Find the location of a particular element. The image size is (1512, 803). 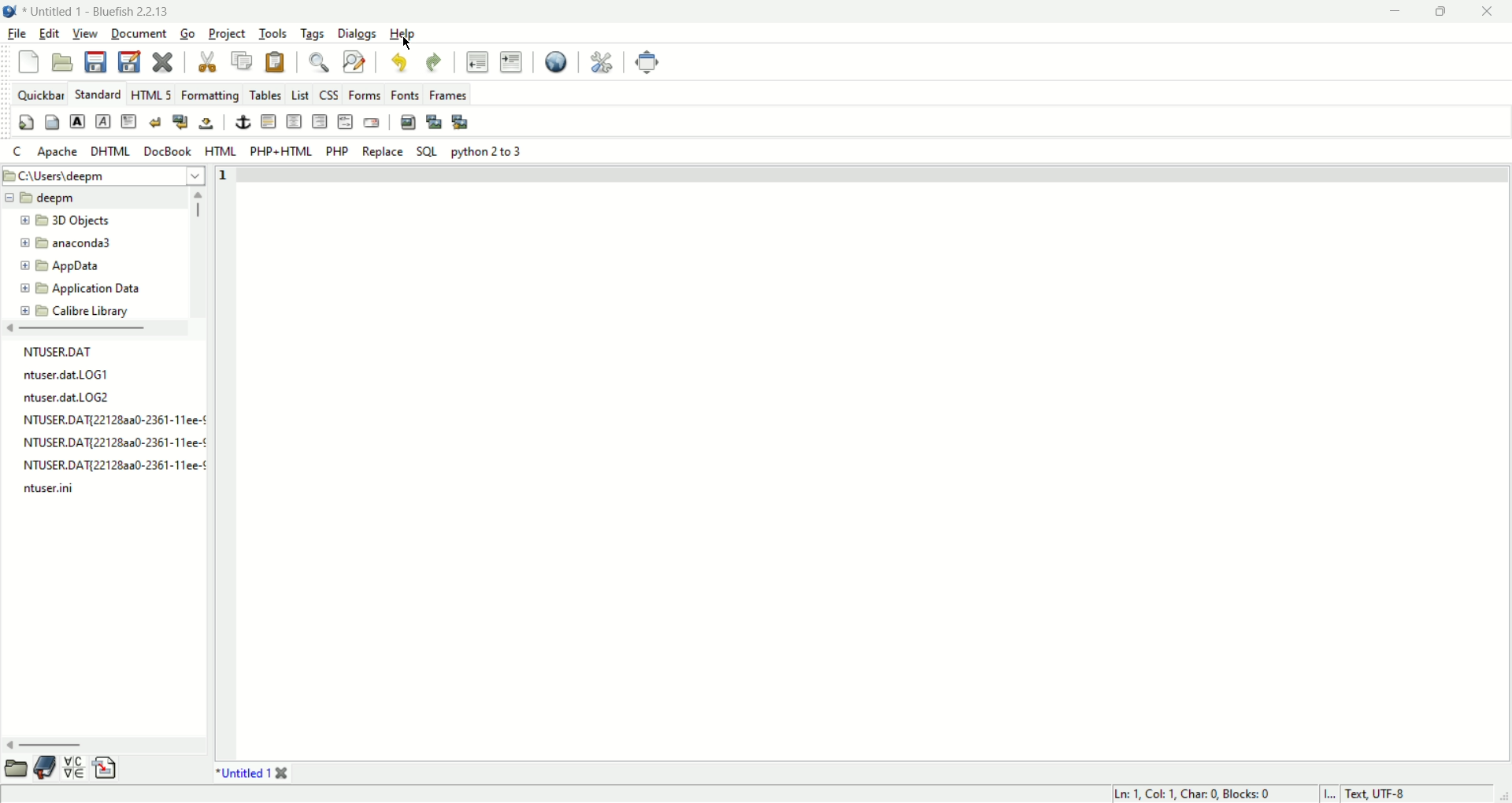

indent is located at coordinates (510, 61).